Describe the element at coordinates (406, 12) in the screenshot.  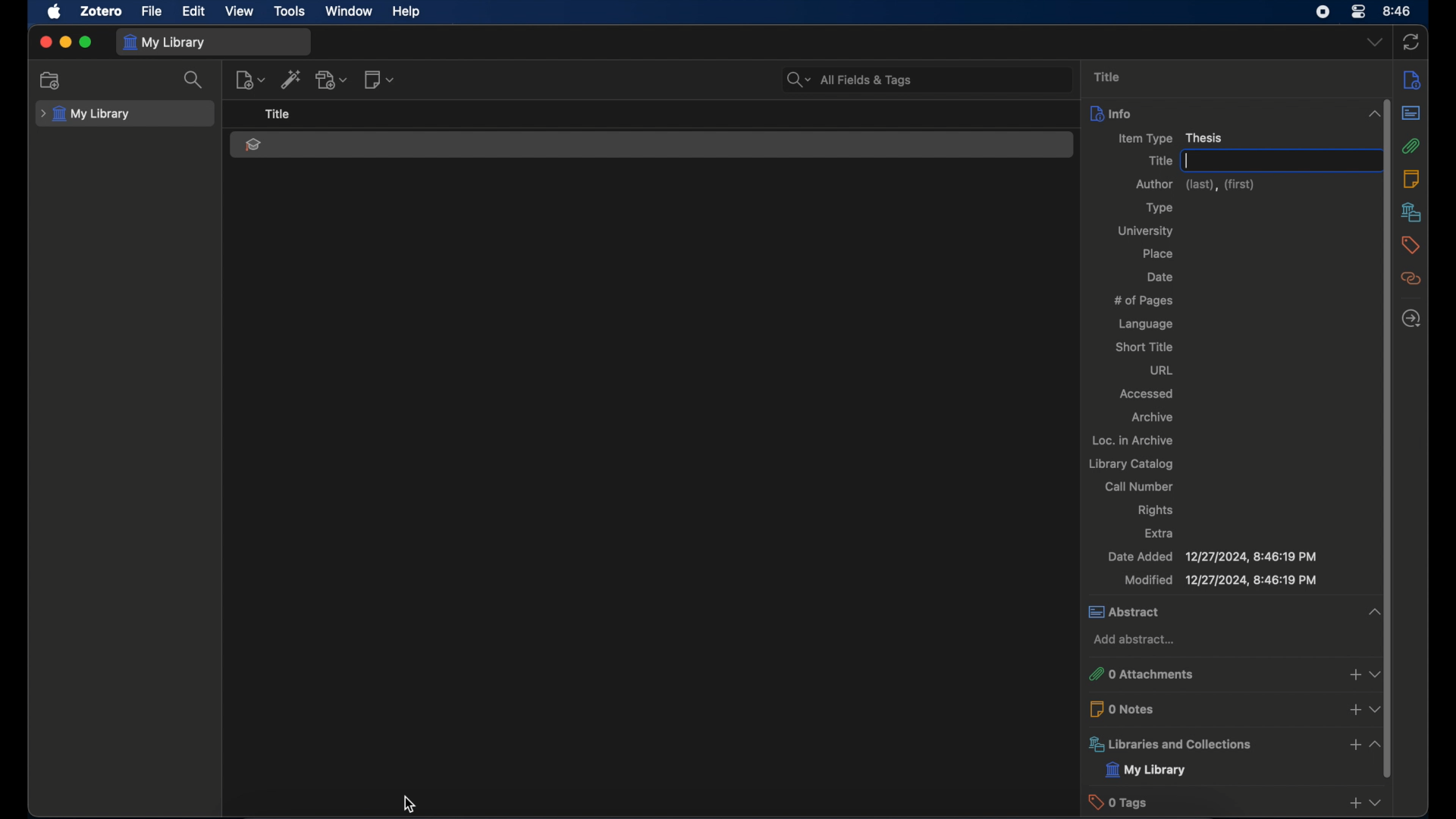
I see `help` at that location.